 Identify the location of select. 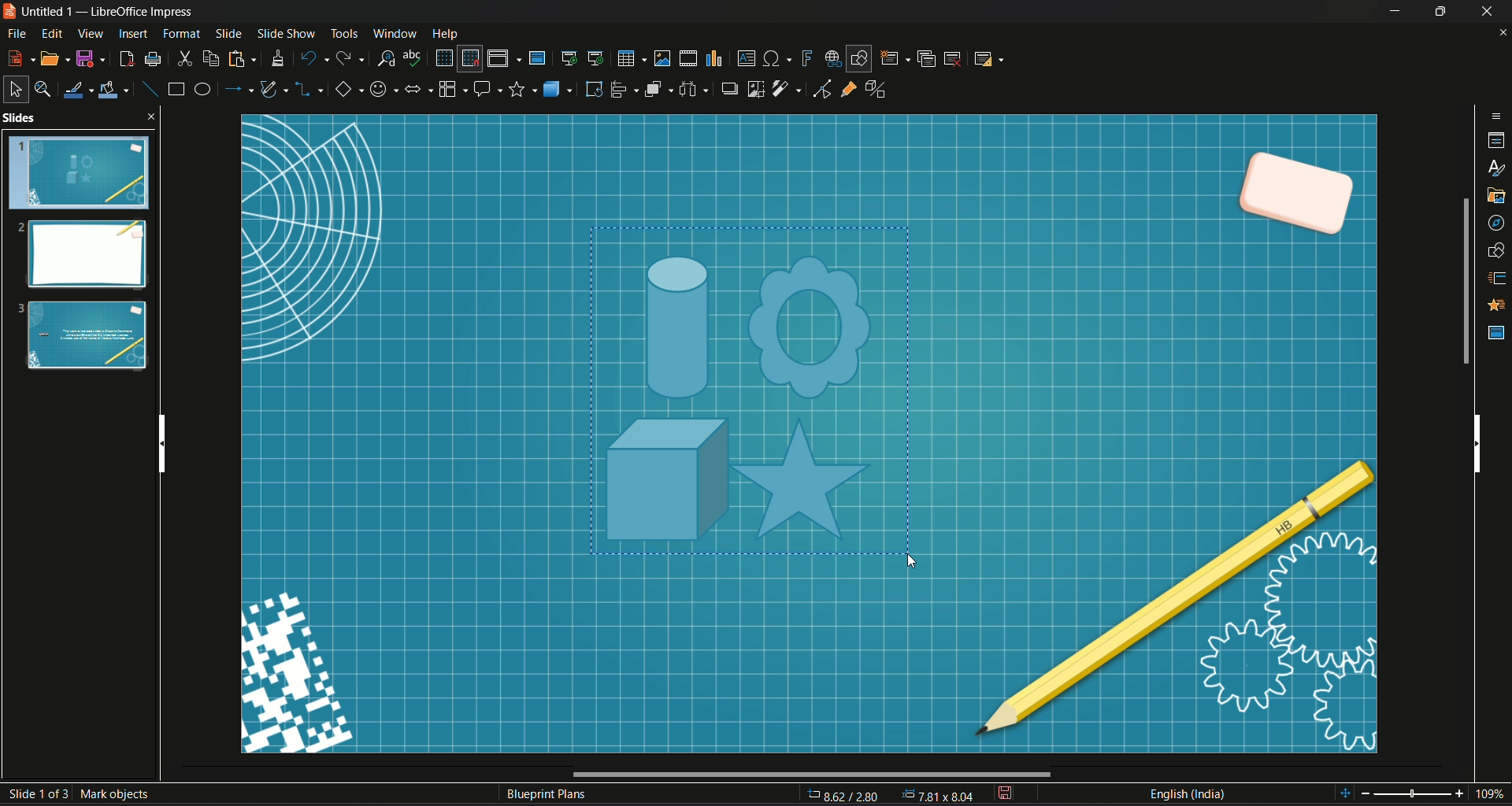
(13, 89).